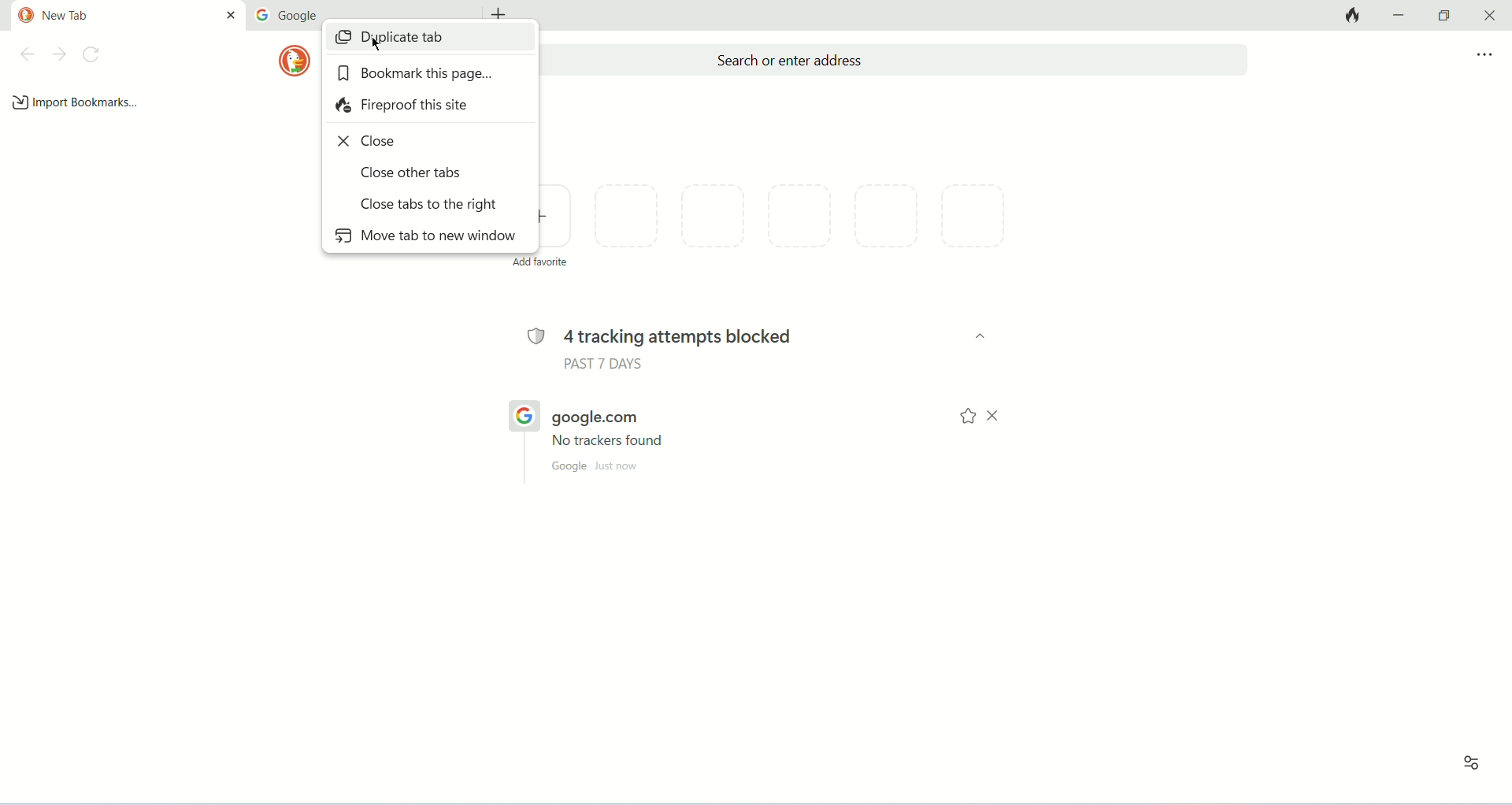  Describe the element at coordinates (97, 18) in the screenshot. I see `new tab` at that location.